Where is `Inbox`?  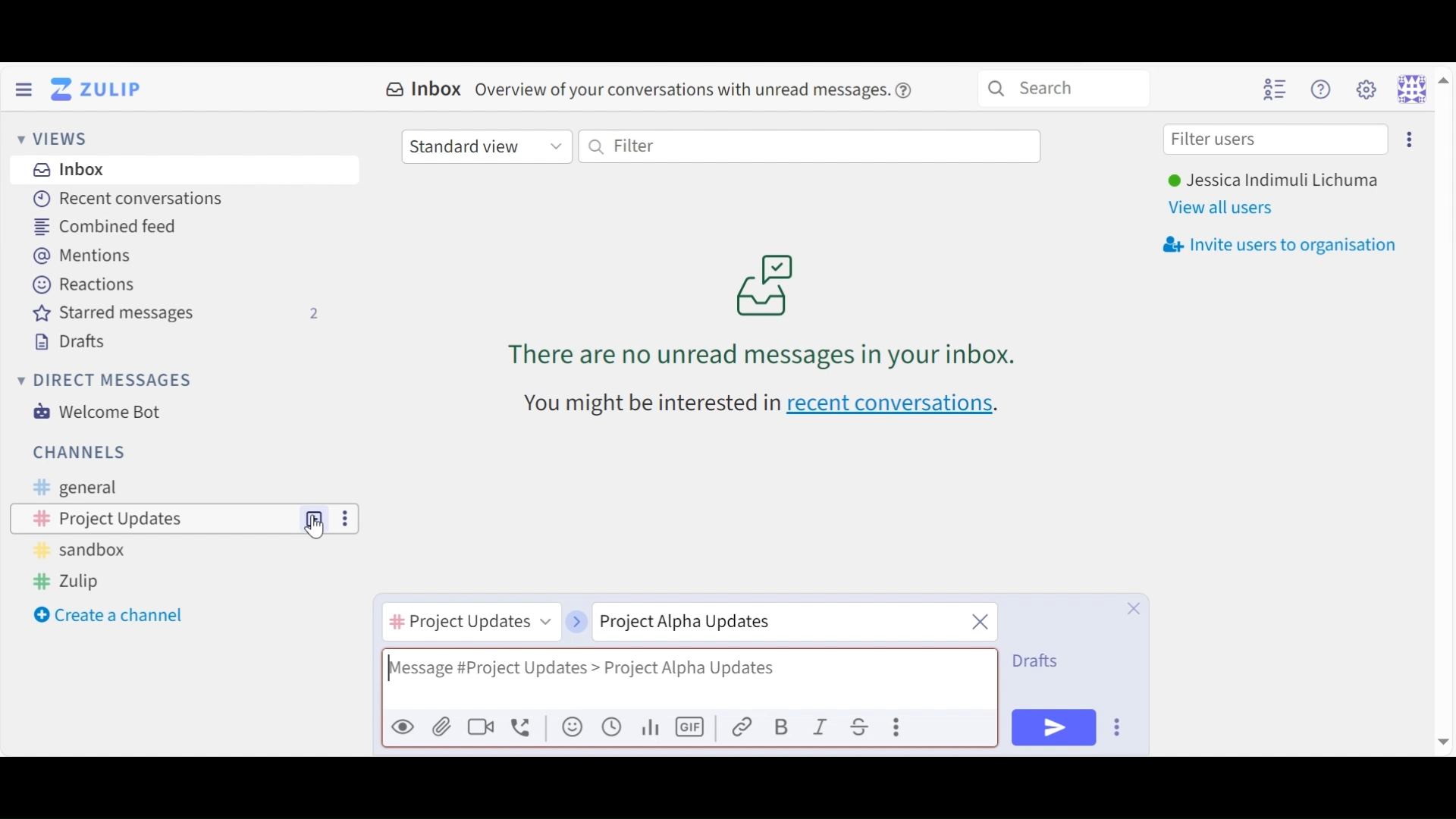 Inbox is located at coordinates (71, 171).